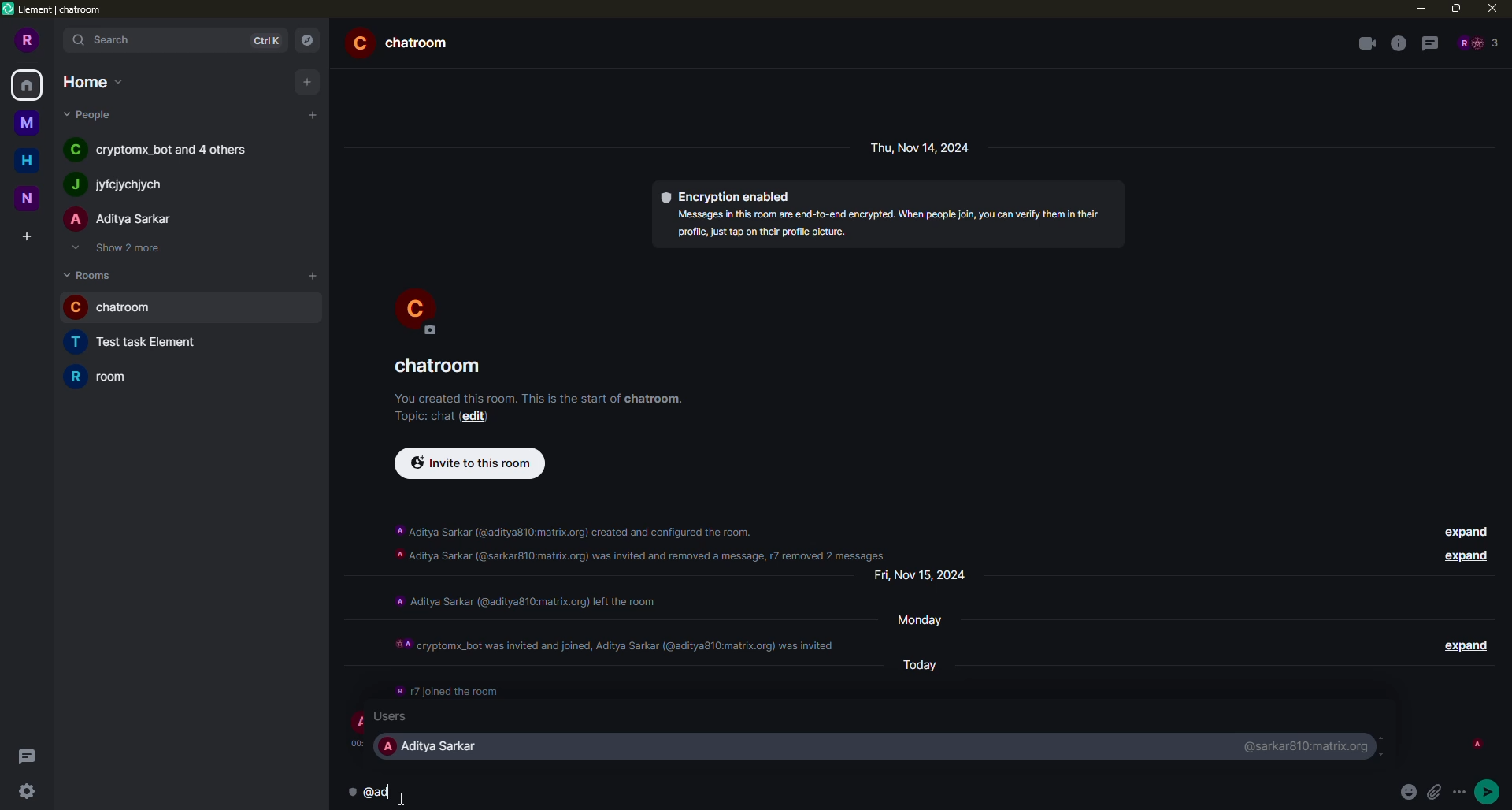 Image resolution: width=1512 pixels, height=810 pixels. I want to click on navigator, so click(307, 39).